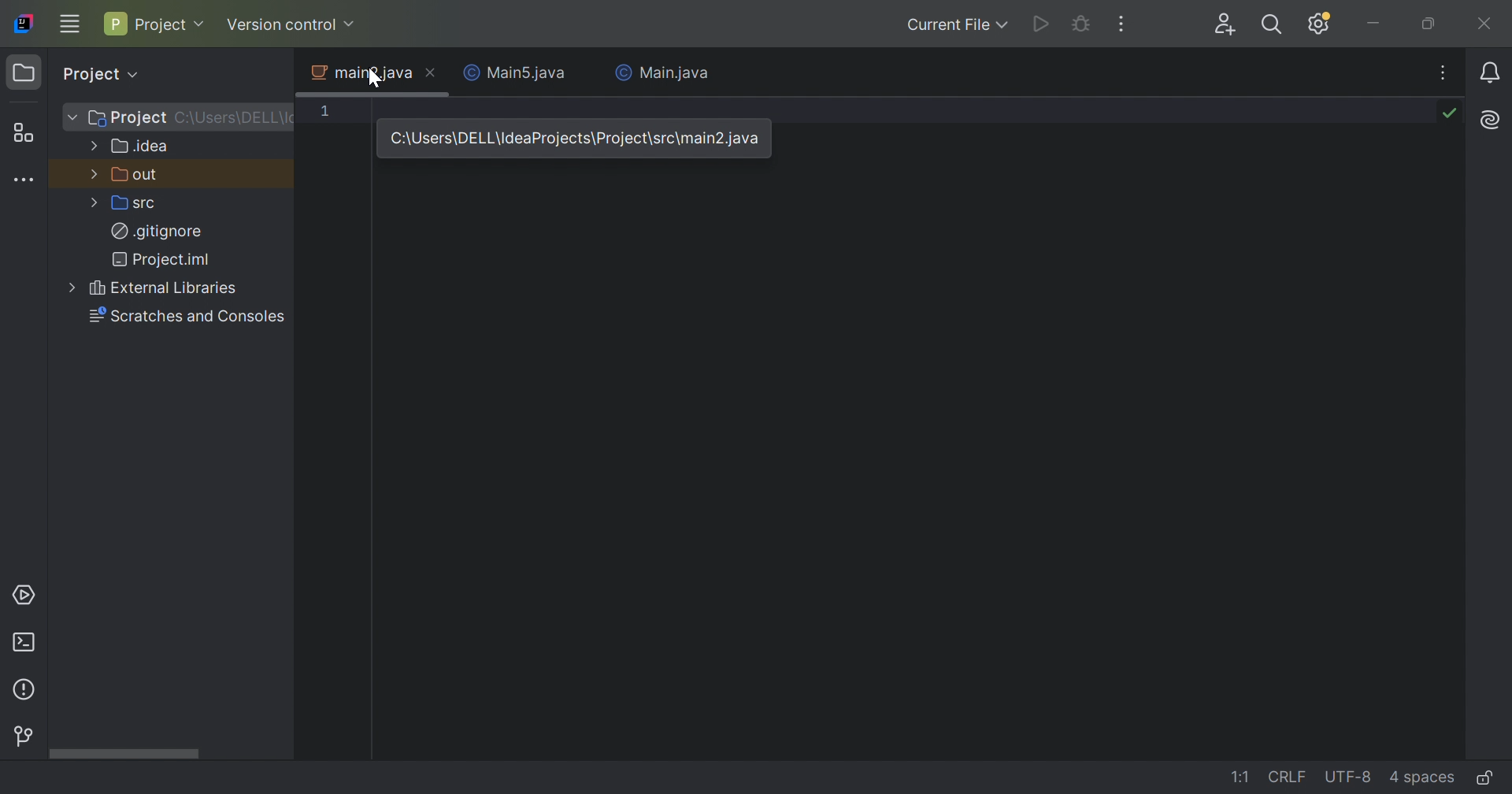  What do you see at coordinates (1270, 25) in the screenshot?
I see `Search Everywhere` at bounding box center [1270, 25].